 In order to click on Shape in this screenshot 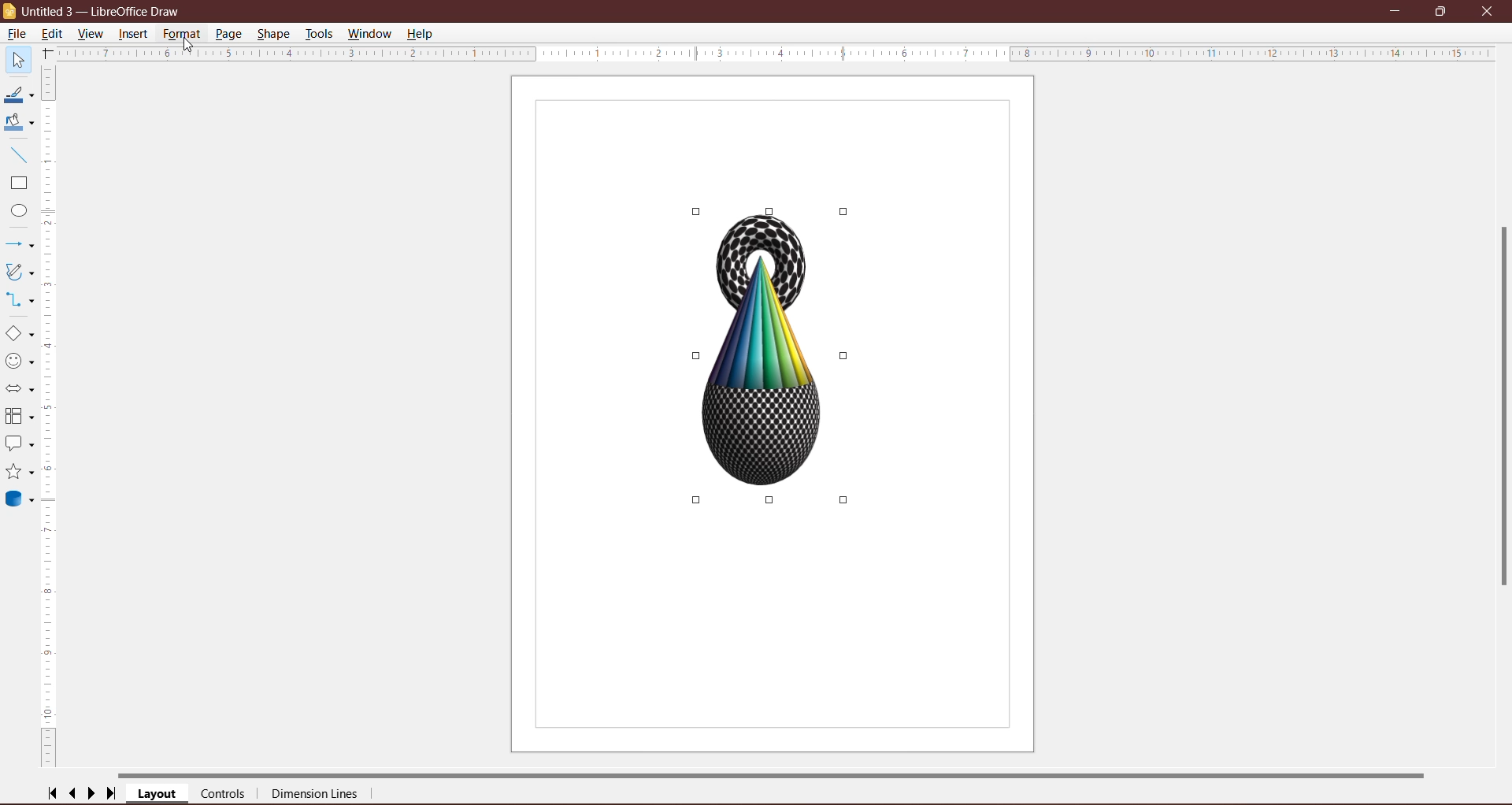, I will do `click(273, 34)`.